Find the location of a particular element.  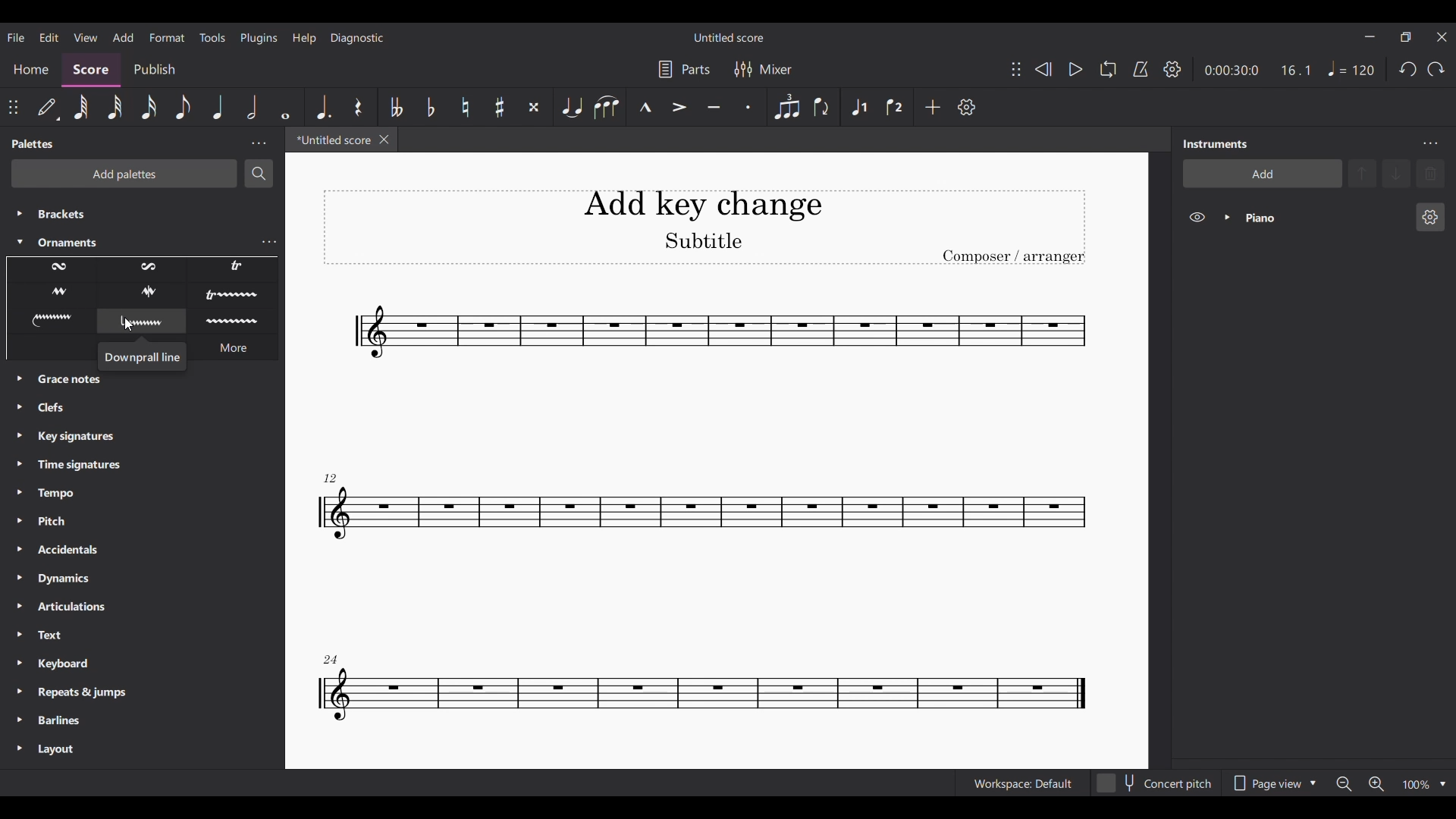

64th note is located at coordinates (81, 107).